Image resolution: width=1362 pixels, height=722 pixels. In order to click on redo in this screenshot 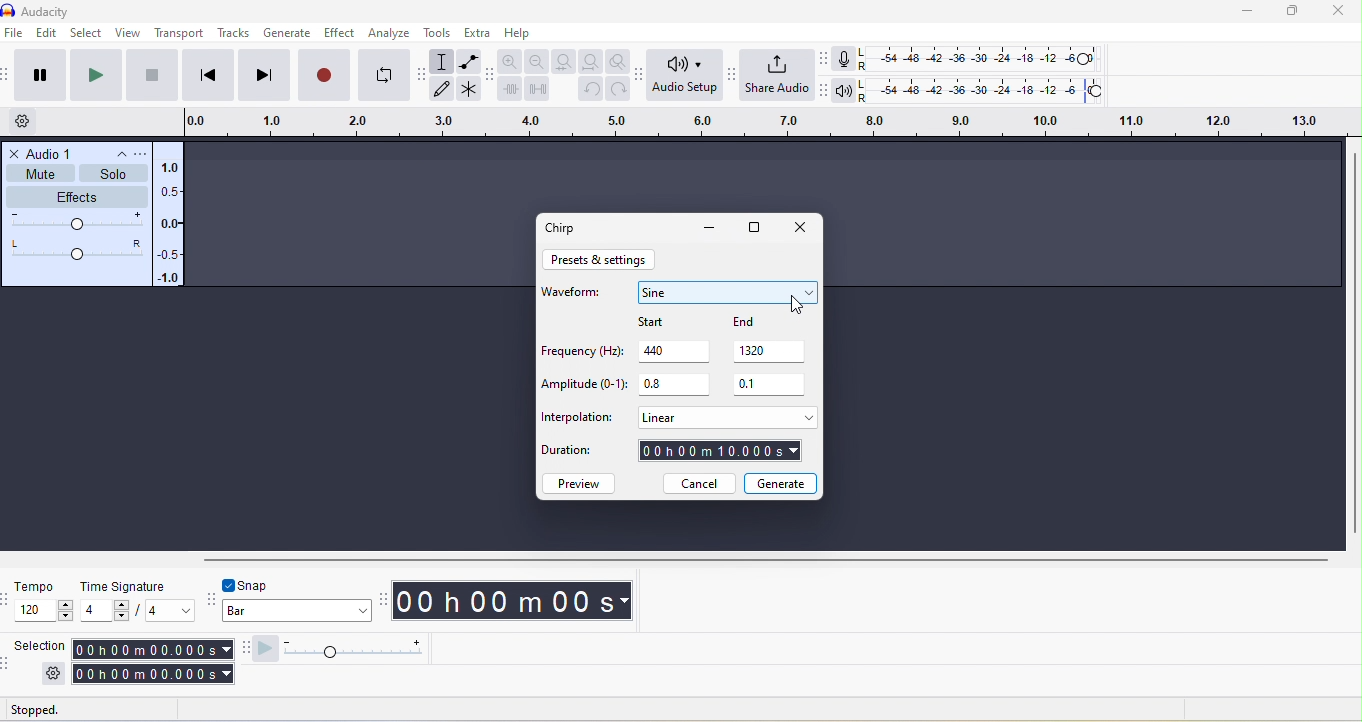, I will do `click(619, 89)`.